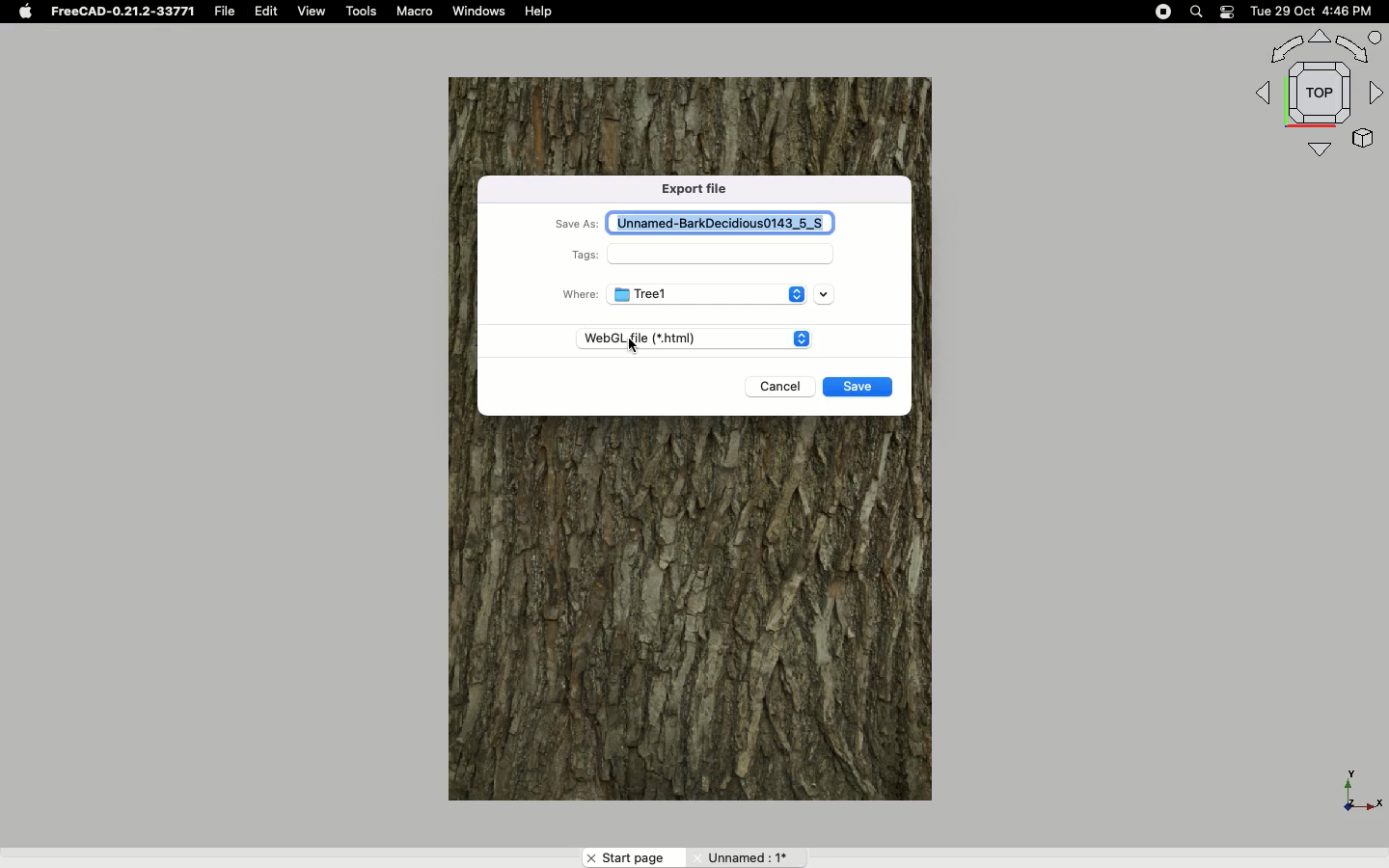 This screenshot has height=868, width=1389. What do you see at coordinates (268, 12) in the screenshot?
I see `Edit` at bounding box center [268, 12].